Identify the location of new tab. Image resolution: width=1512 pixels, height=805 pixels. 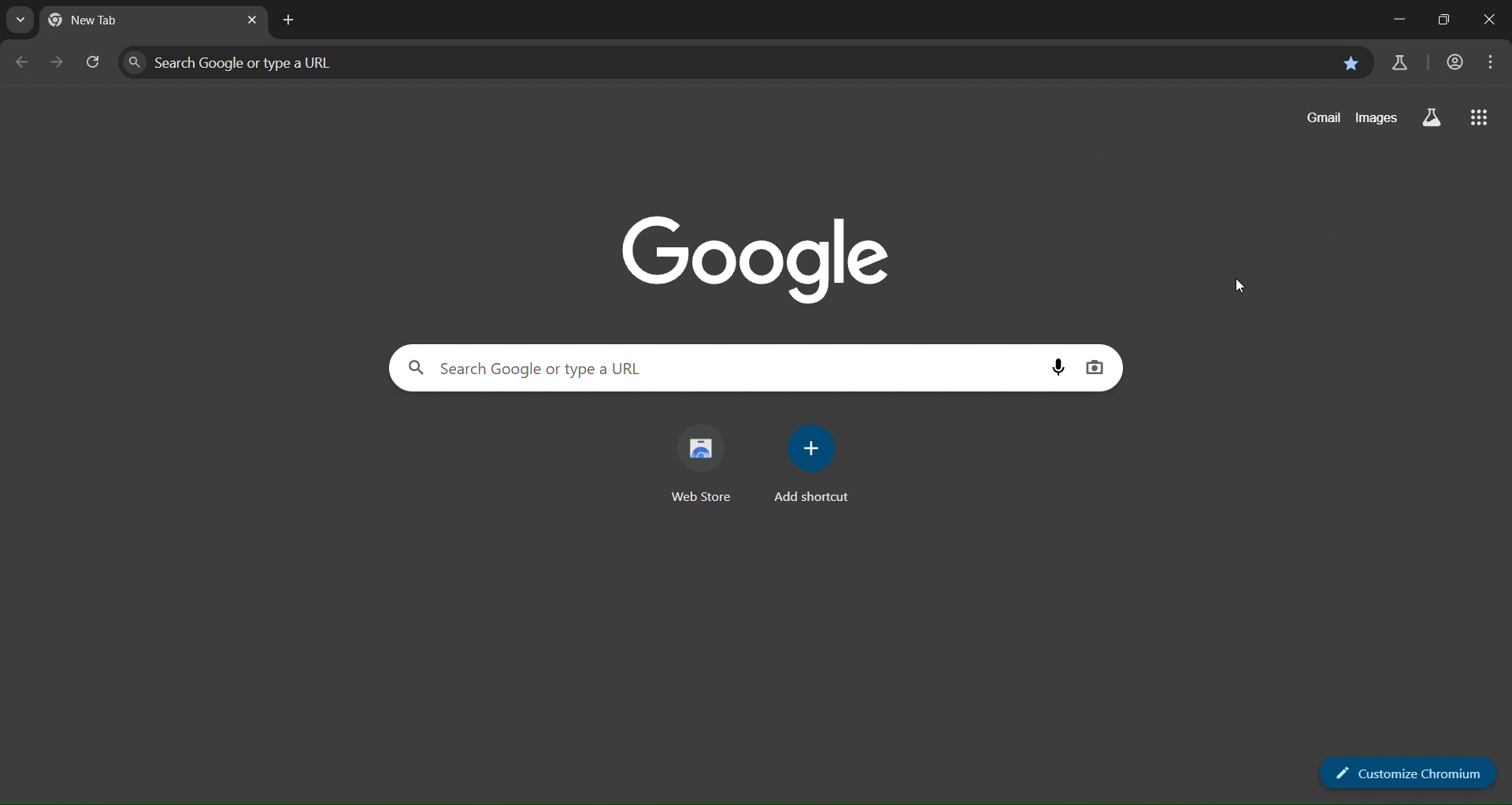
(295, 24).